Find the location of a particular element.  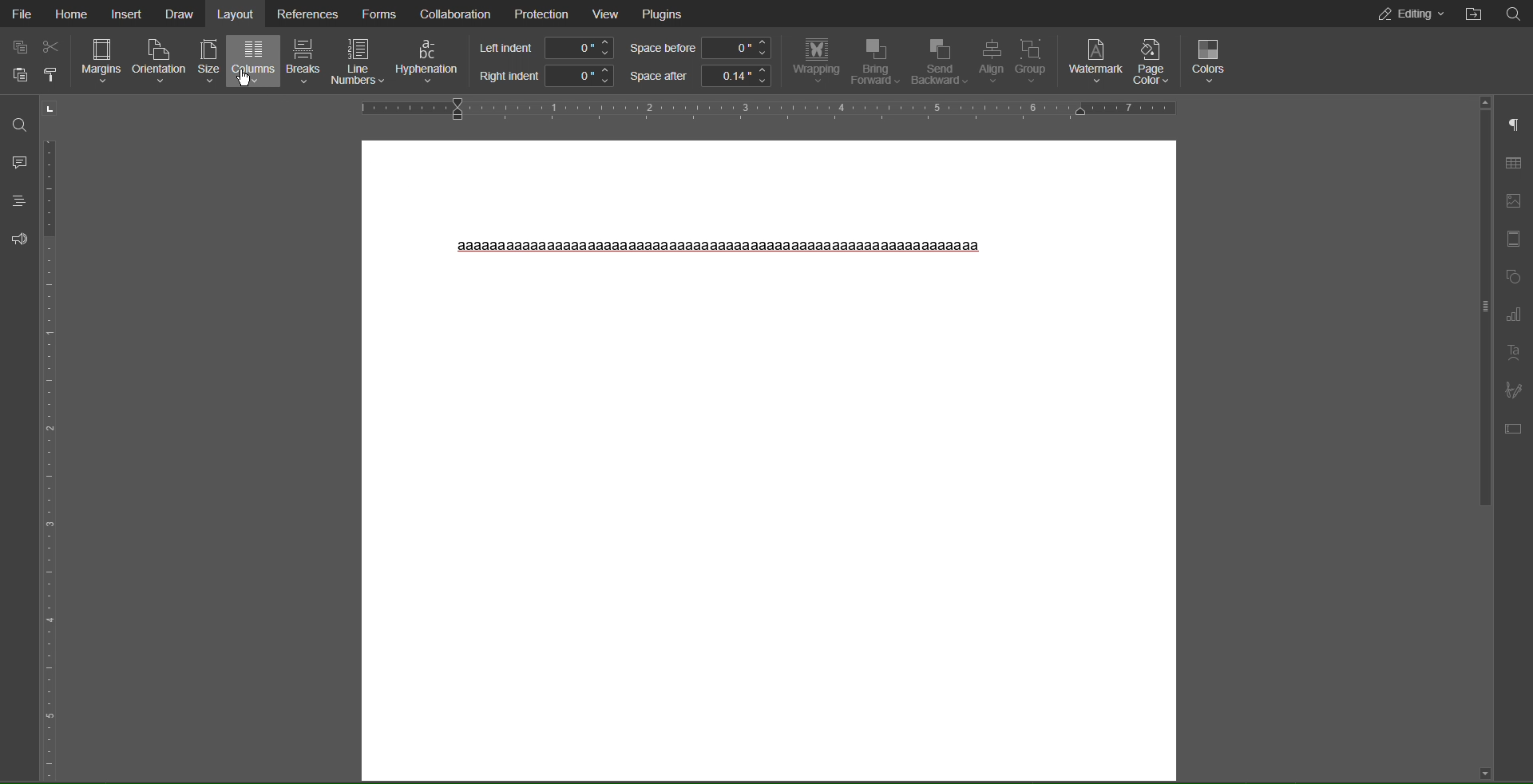

 is located at coordinates (714, 245).